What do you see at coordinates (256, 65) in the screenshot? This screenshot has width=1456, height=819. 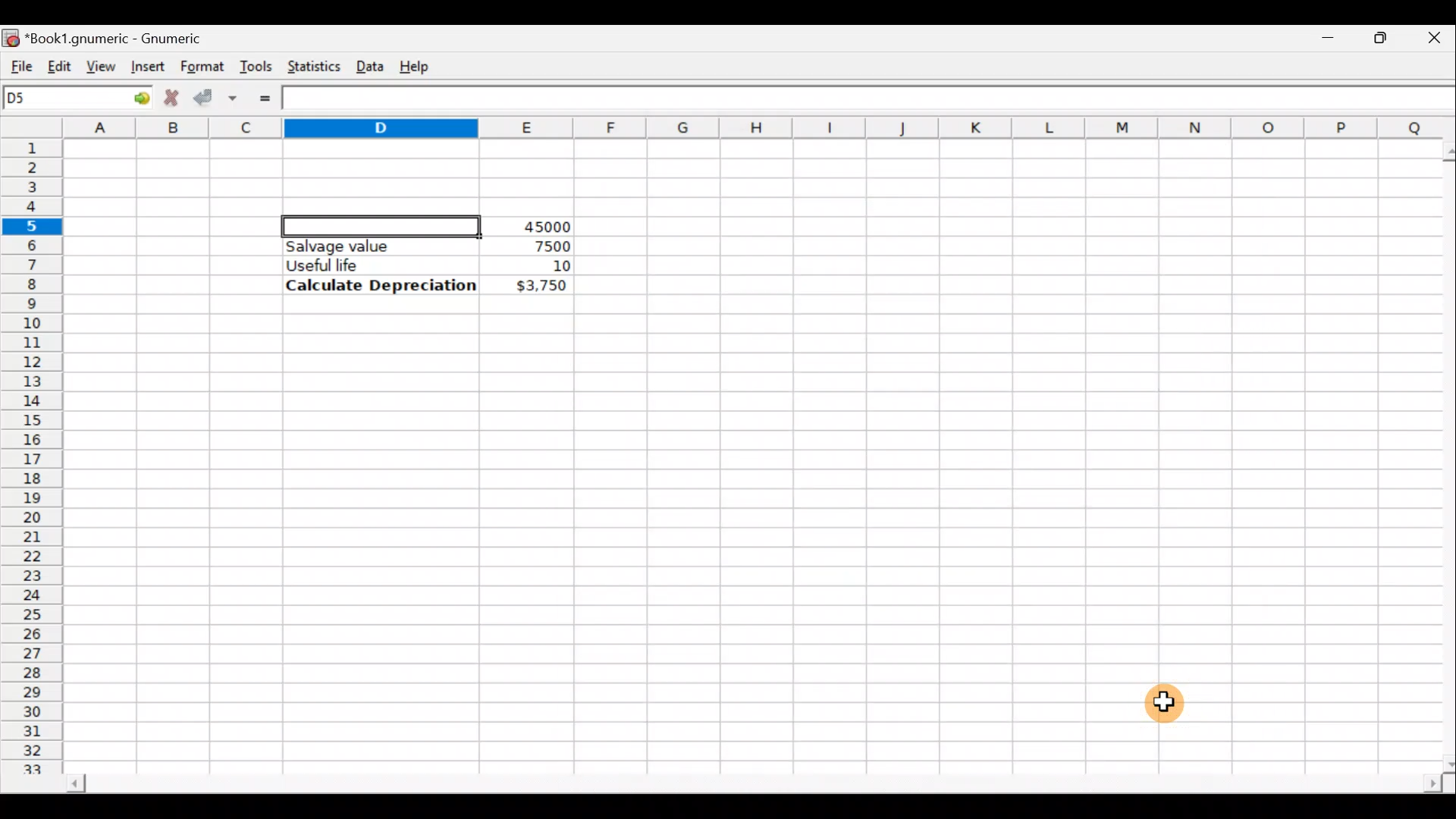 I see `Tools` at bounding box center [256, 65].